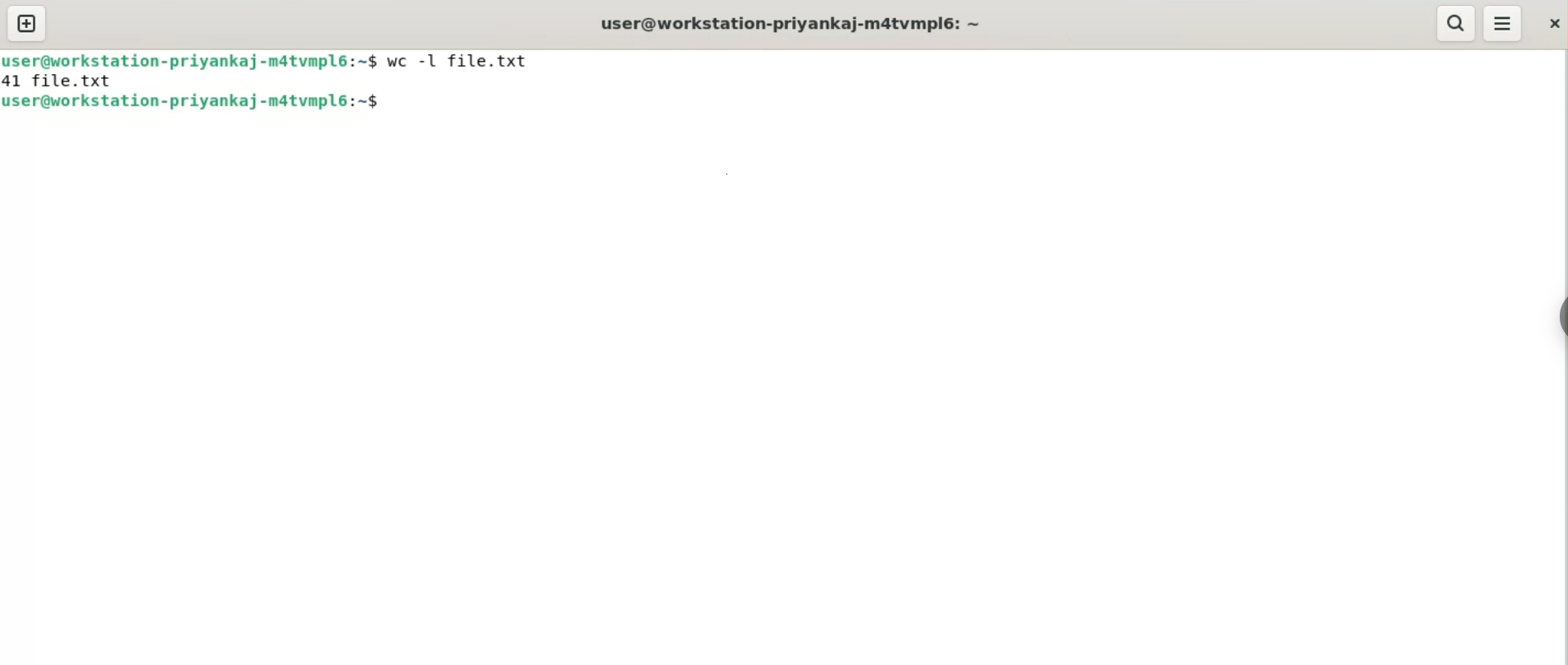  I want to click on user@workstation-priyankaj-m4tvmpl6: ~$, so click(193, 101).